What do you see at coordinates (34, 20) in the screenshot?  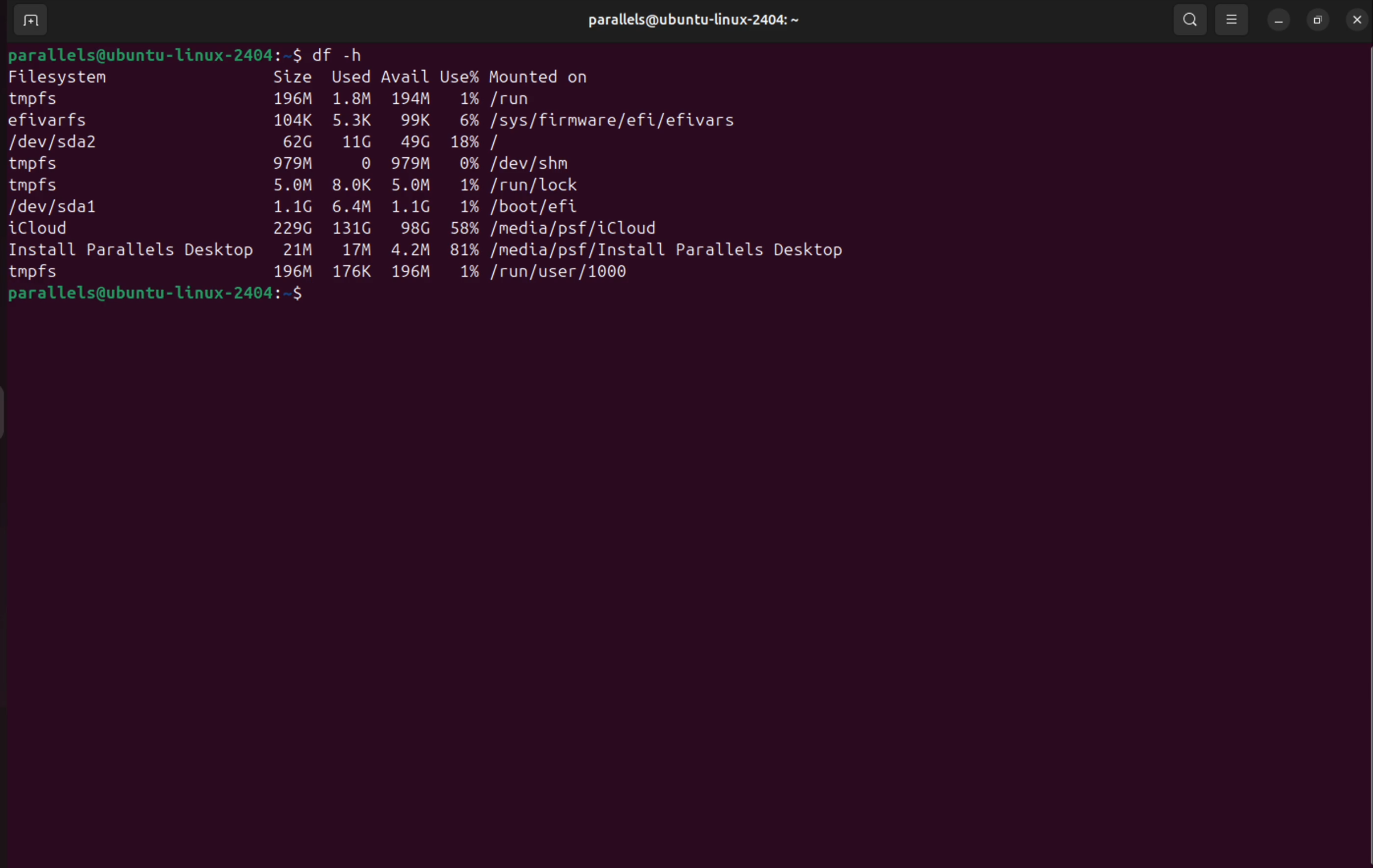 I see `add terminal` at bounding box center [34, 20].